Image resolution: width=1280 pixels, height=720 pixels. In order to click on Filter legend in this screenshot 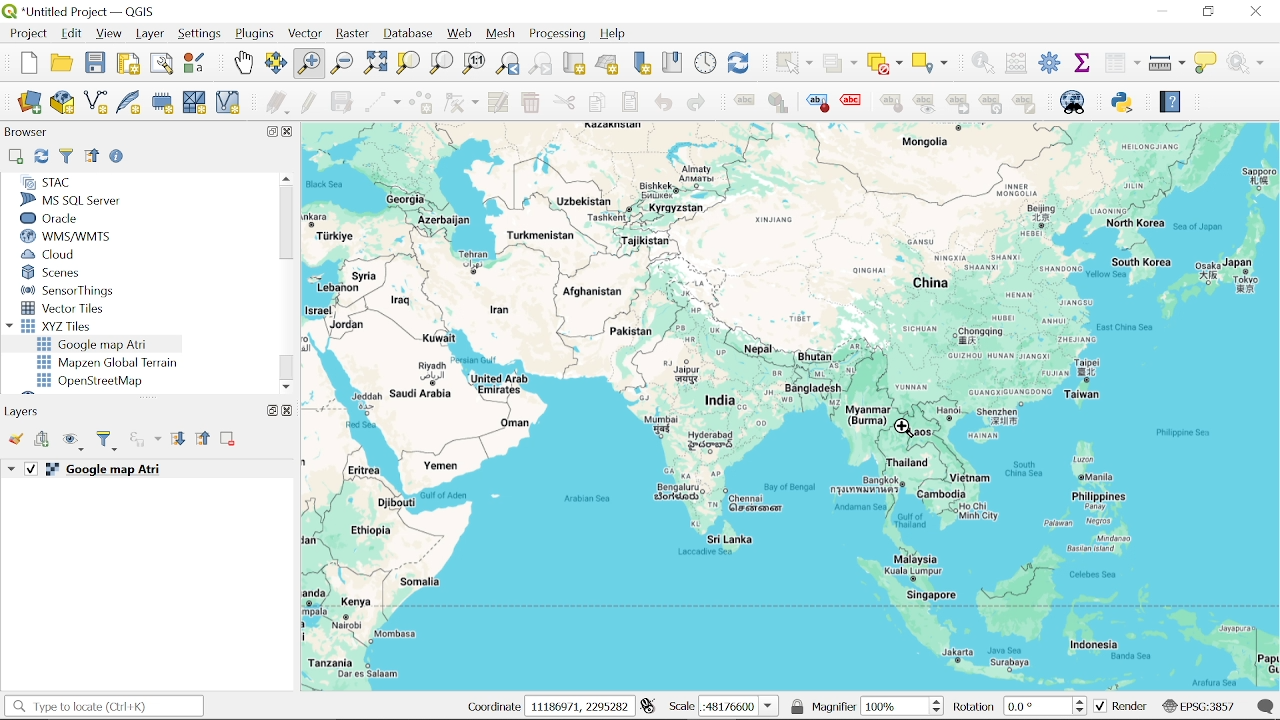, I will do `click(108, 441)`.